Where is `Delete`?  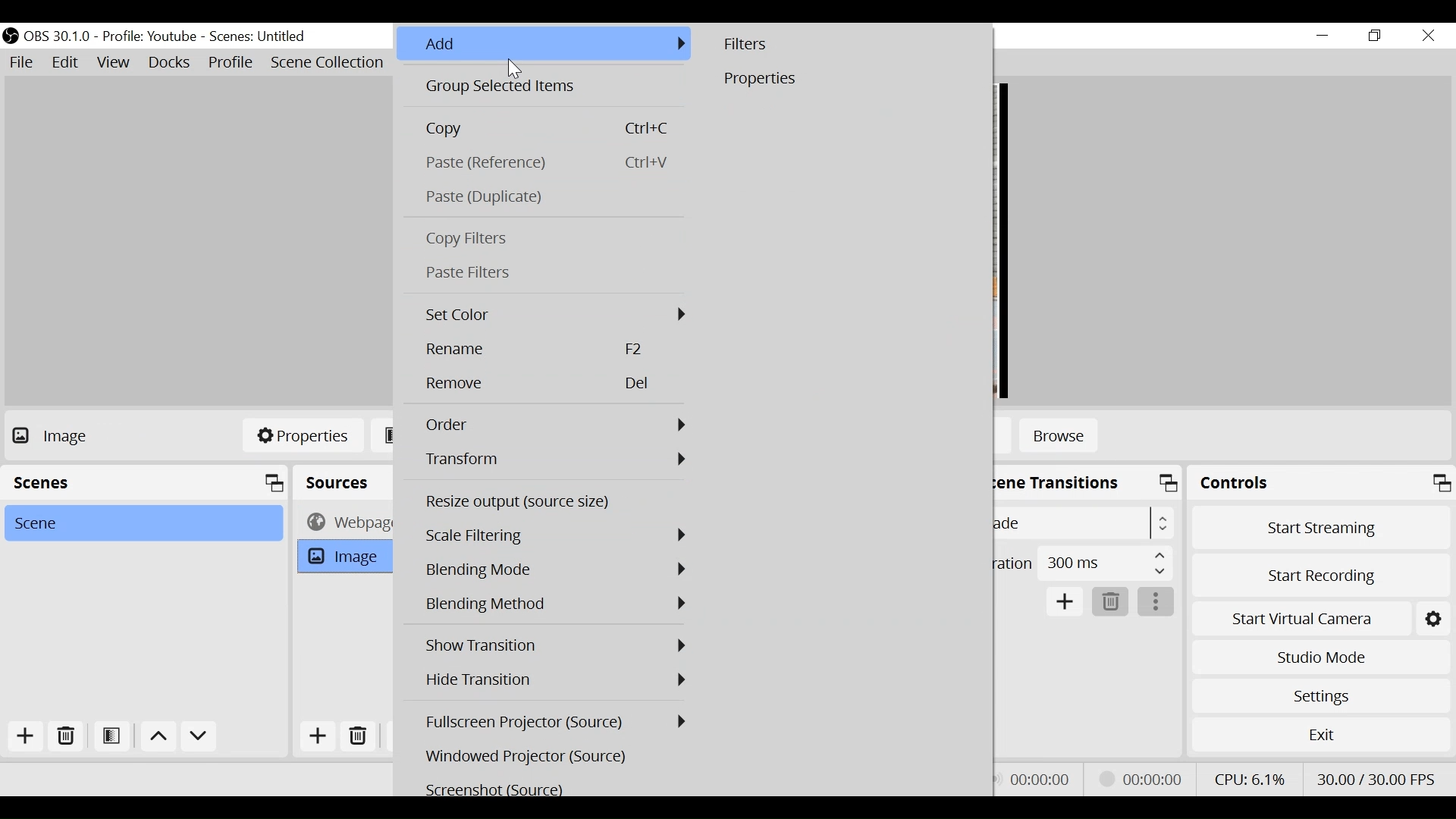 Delete is located at coordinates (362, 735).